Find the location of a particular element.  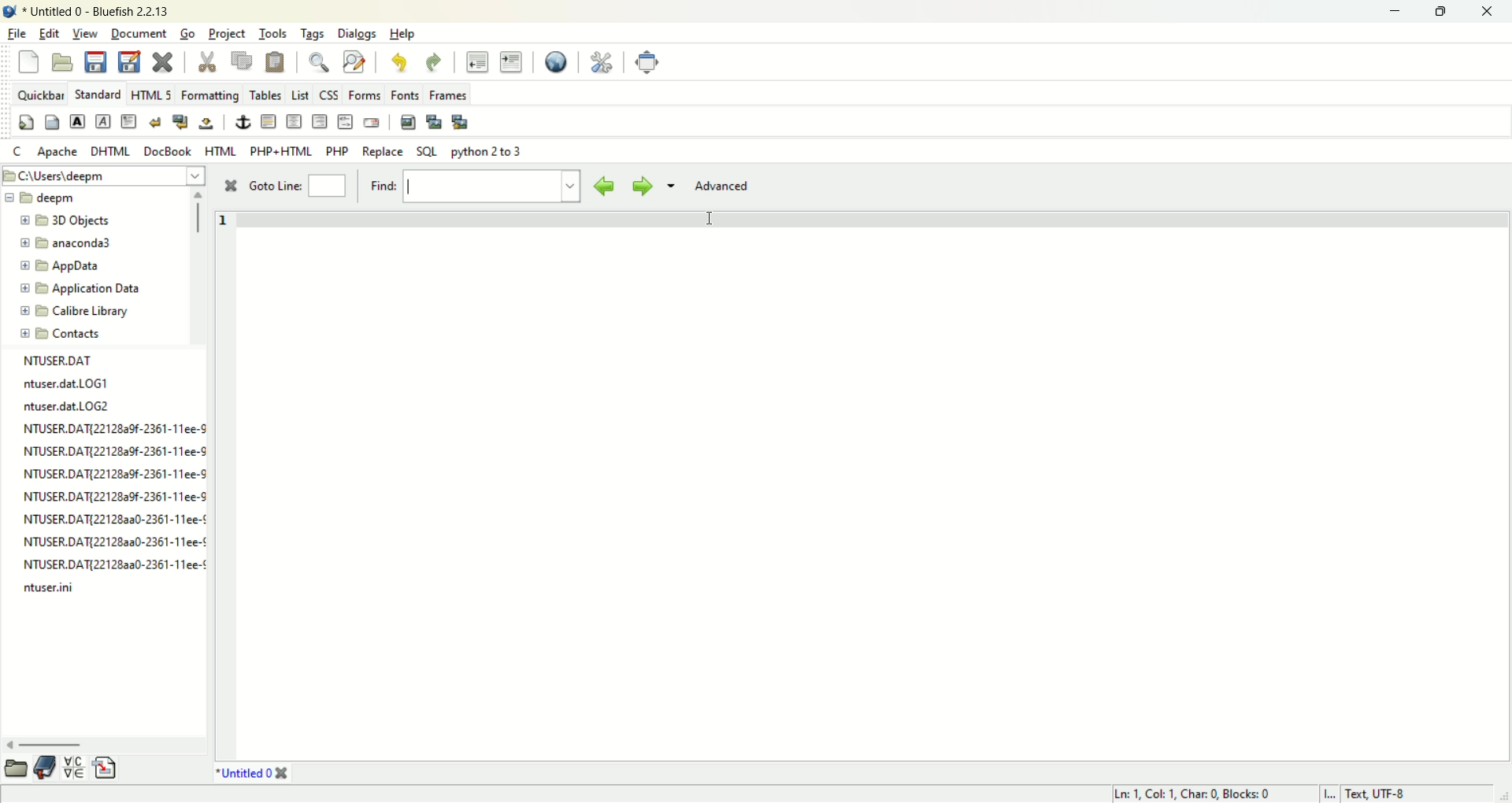

Apache is located at coordinates (57, 150).